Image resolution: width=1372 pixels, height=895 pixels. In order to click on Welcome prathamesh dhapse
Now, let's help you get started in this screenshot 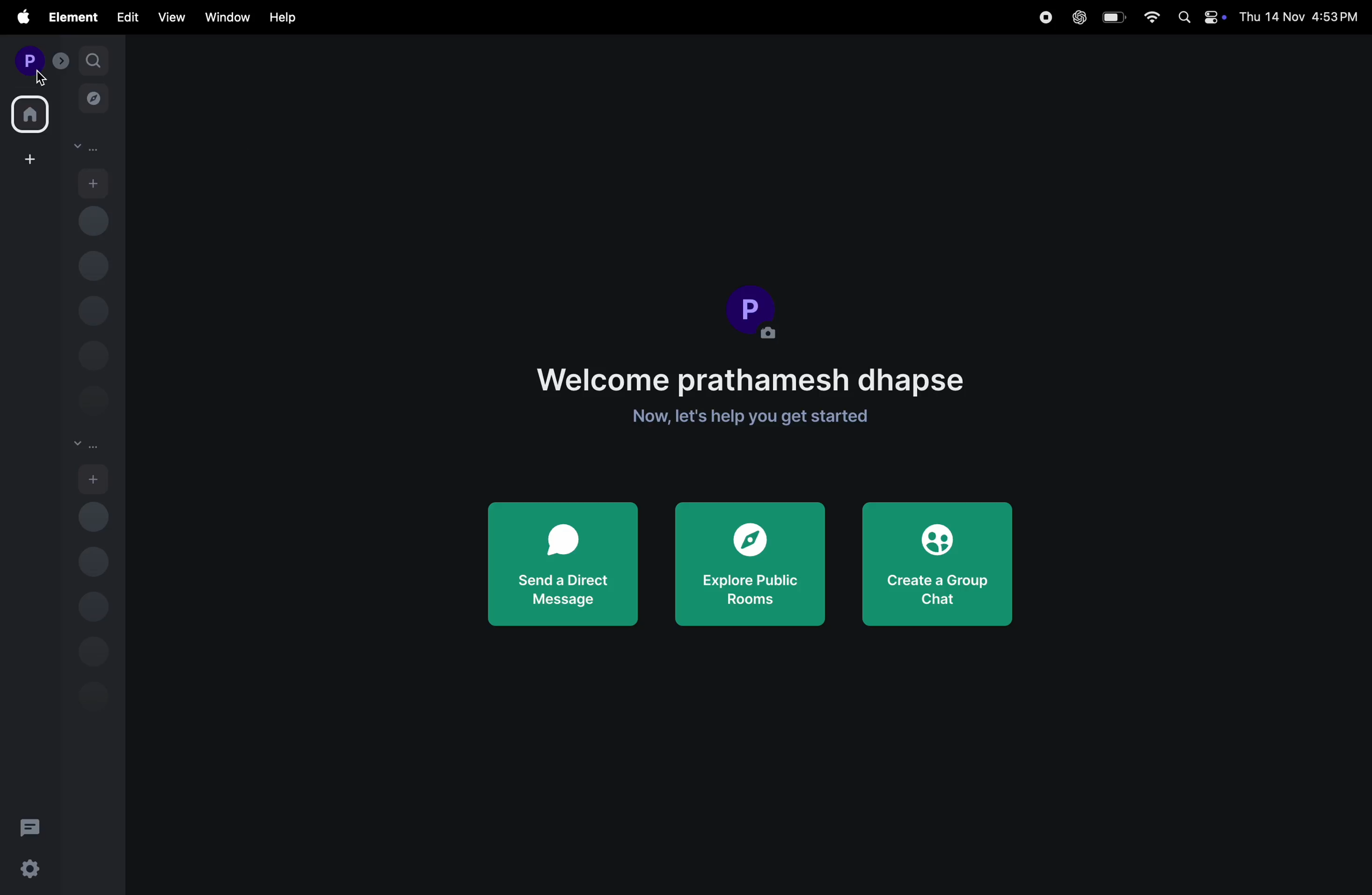, I will do `click(753, 392)`.